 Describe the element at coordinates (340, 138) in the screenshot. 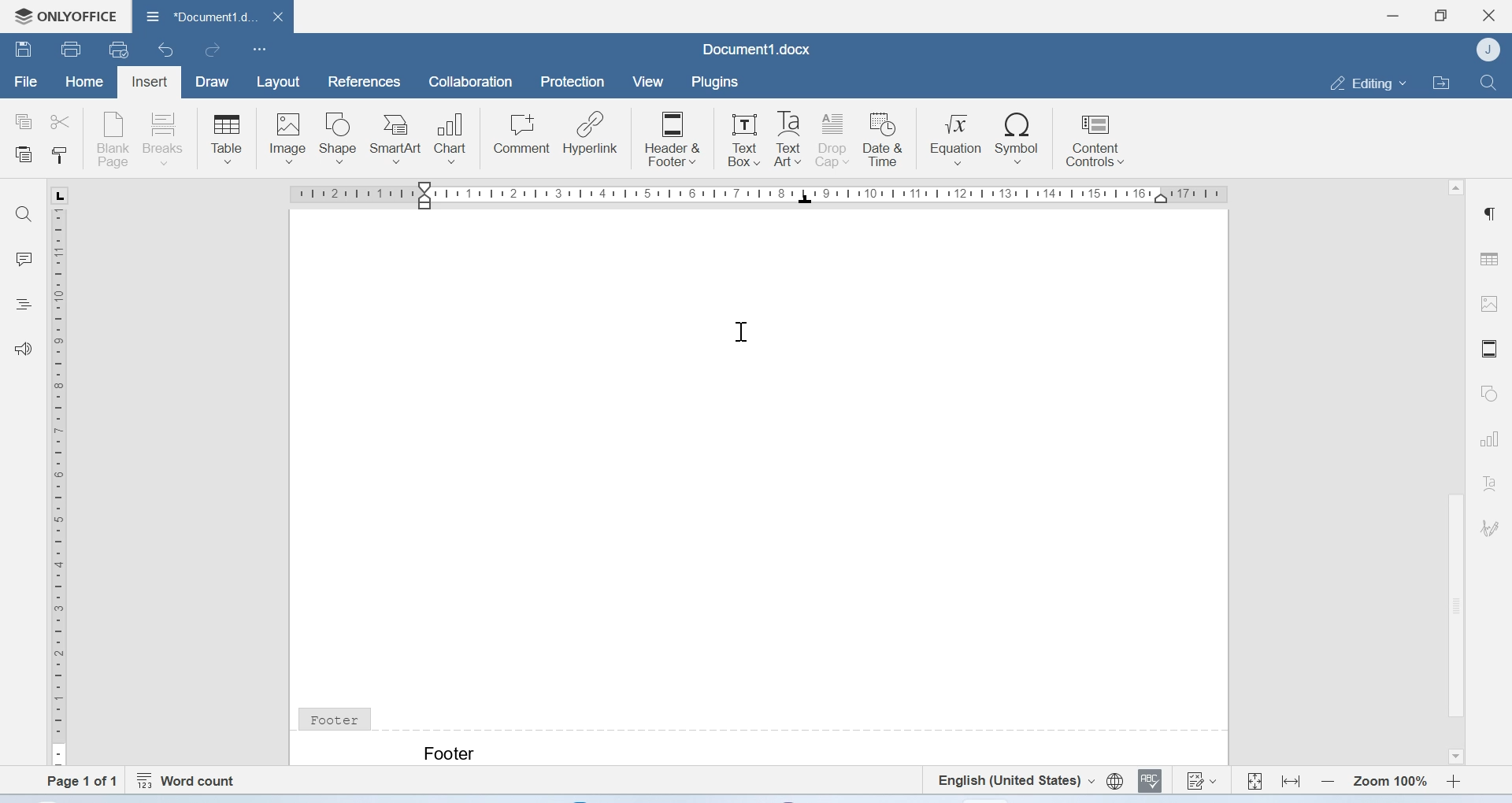

I see `Shape` at that location.